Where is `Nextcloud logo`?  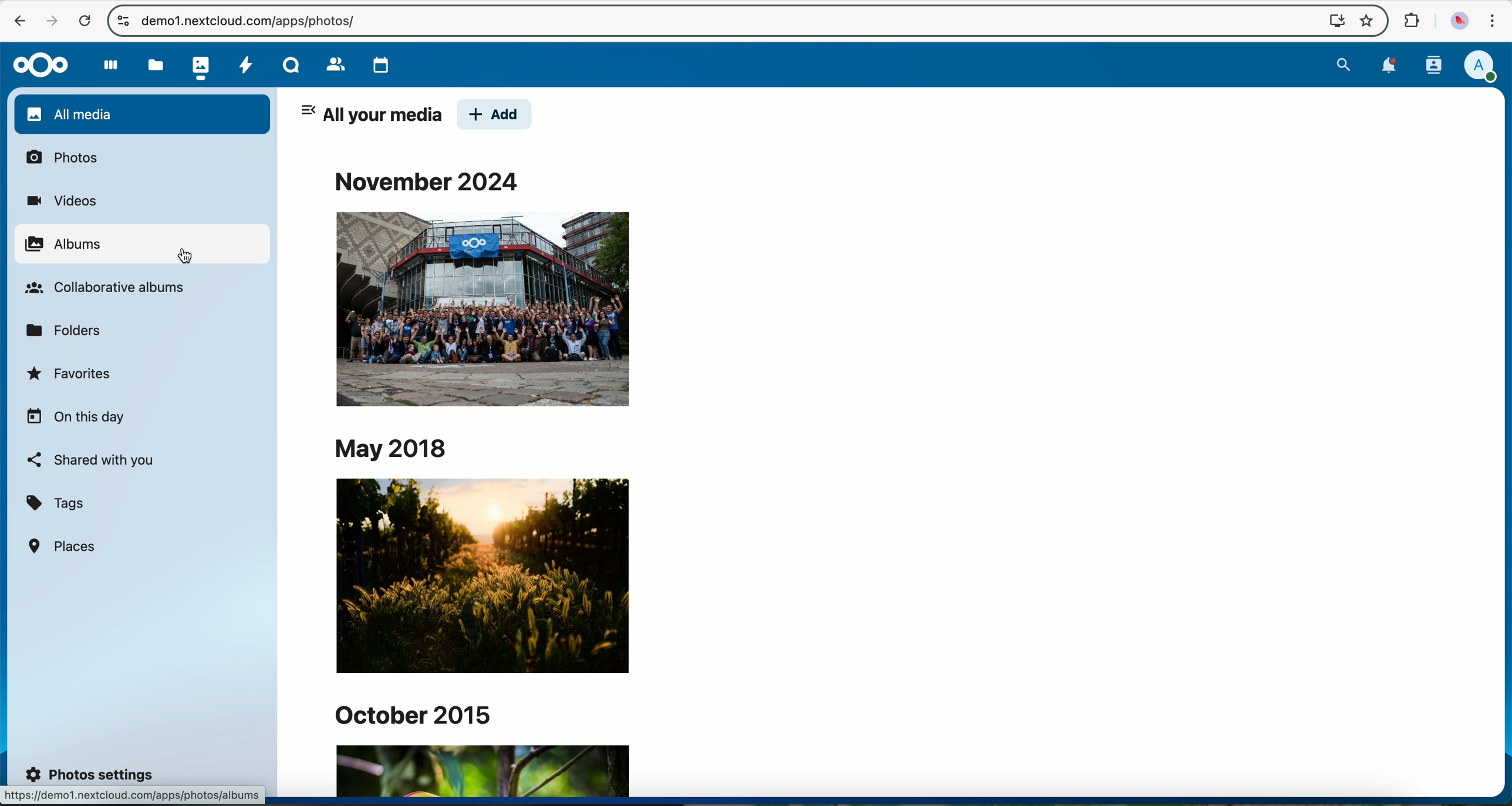 Nextcloud logo is located at coordinates (36, 64).